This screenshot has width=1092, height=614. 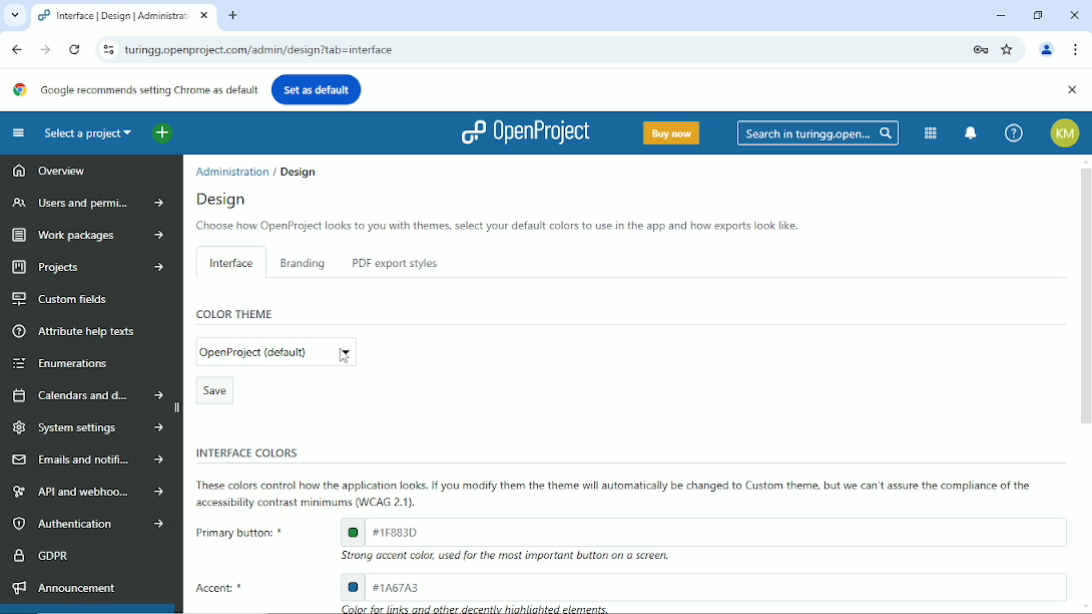 What do you see at coordinates (538, 50) in the screenshot?
I see `turingg.openproject.com/admin/design’tab = interface` at bounding box center [538, 50].